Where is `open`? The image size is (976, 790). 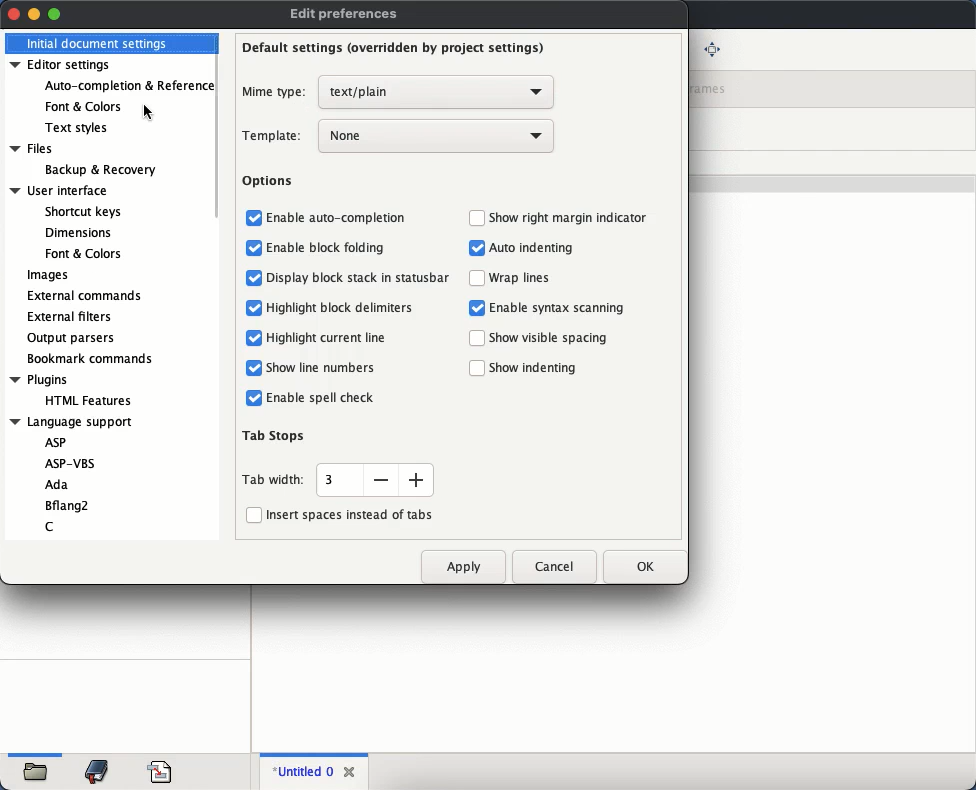 open is located at coordinates (37, 774).